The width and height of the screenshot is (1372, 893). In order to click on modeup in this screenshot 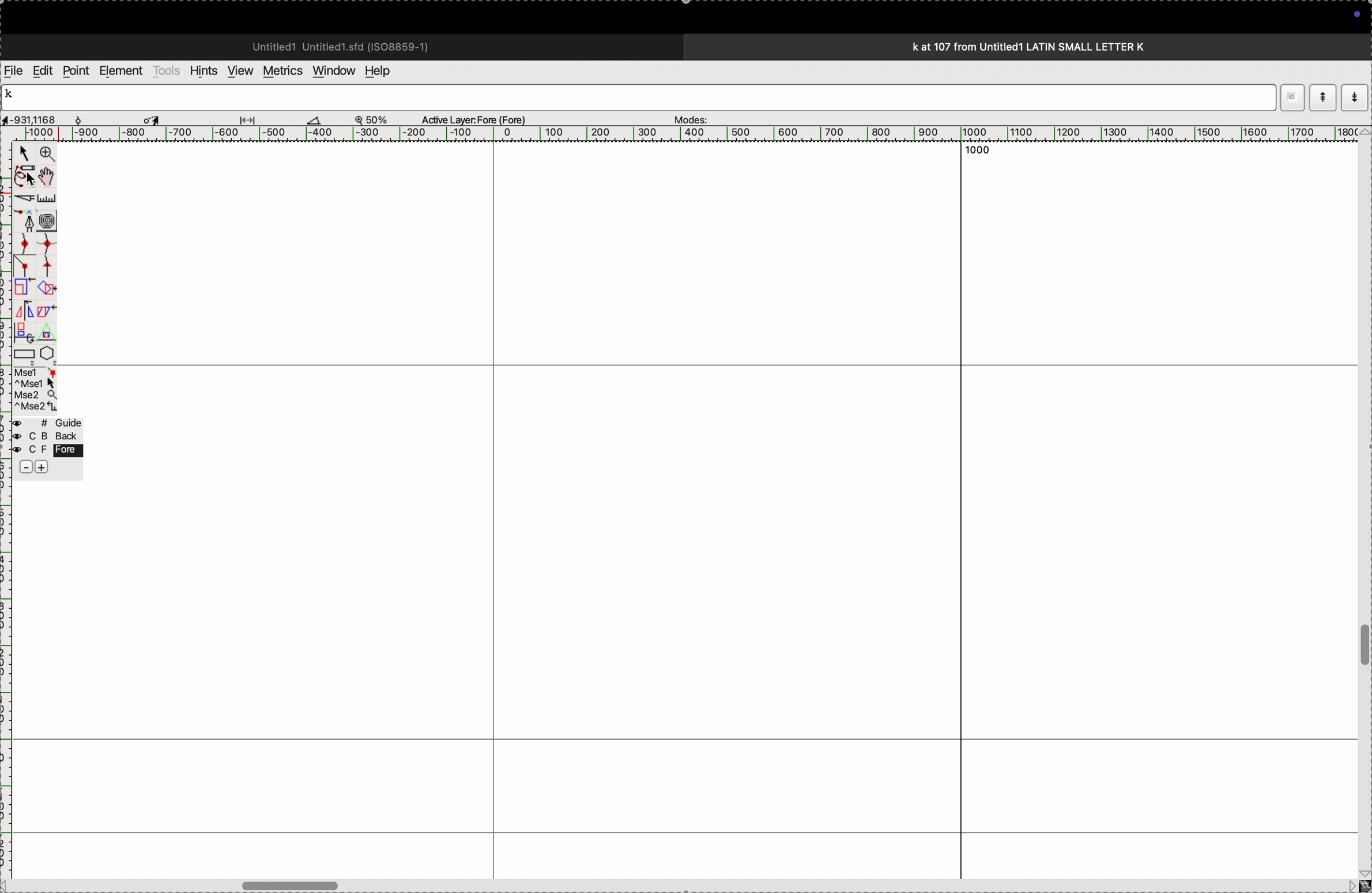, I will do `click(1322, 97)`.